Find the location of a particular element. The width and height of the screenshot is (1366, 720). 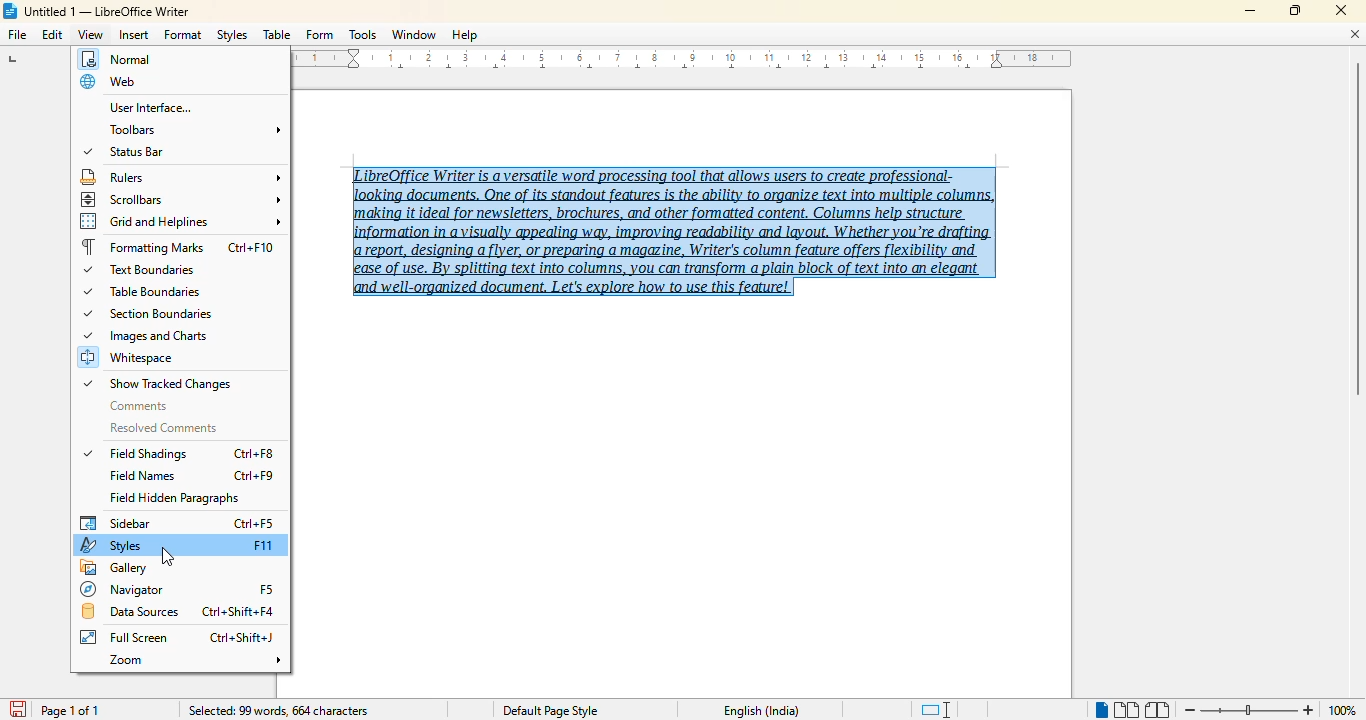

standard selection is located at coordinates (934, 710).